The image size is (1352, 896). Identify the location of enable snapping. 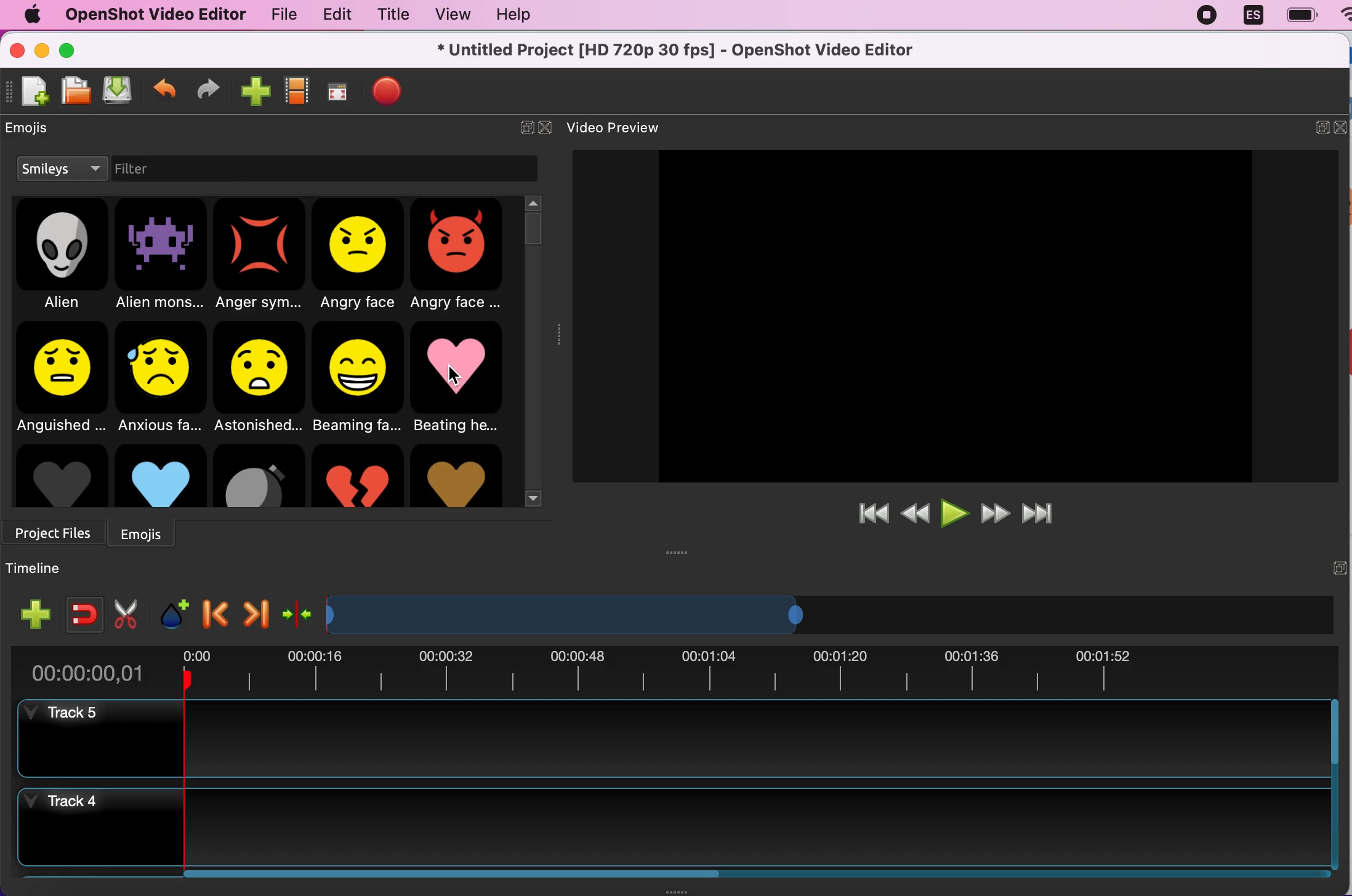
(80, 610).